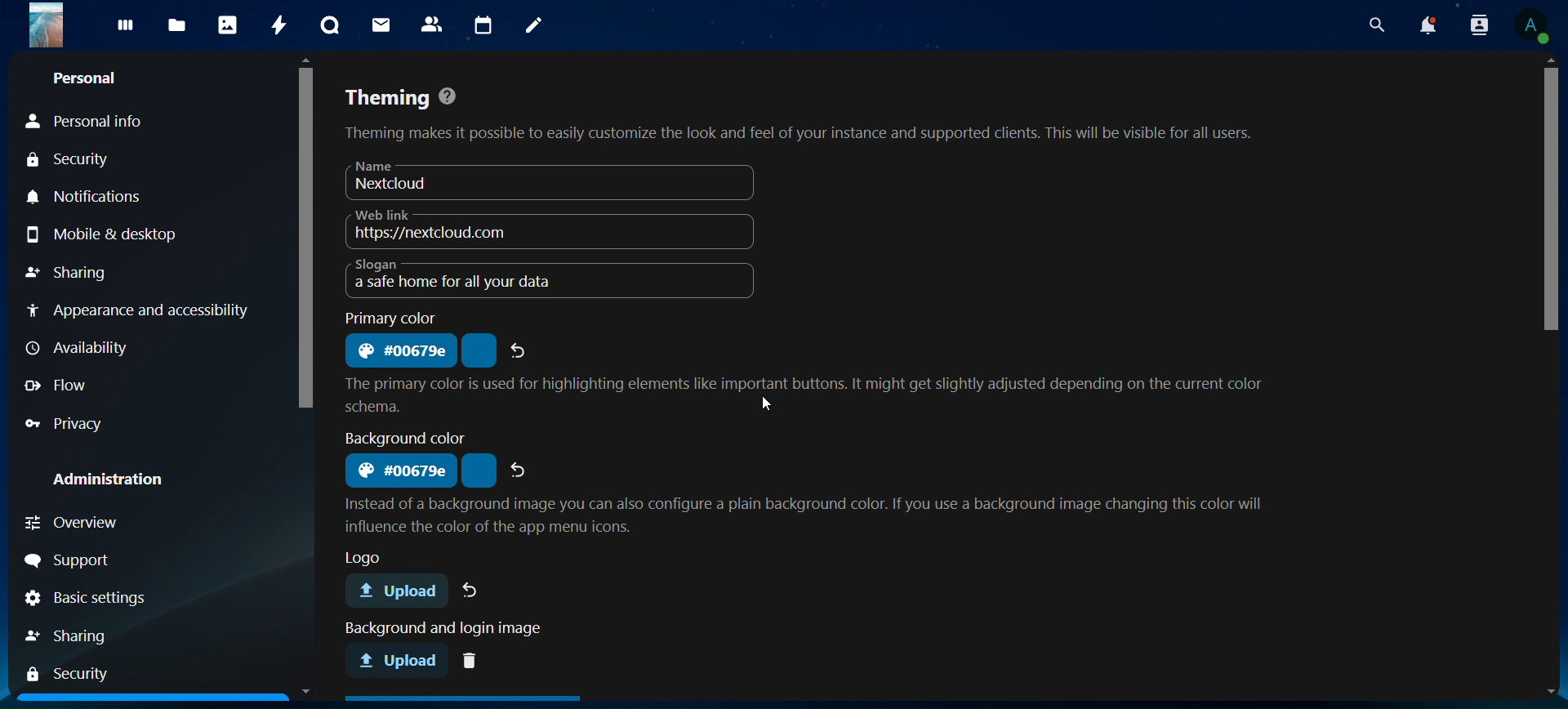  Describe the element at coordinates (383, 25) in the screenshot. I see `mail` at that location.